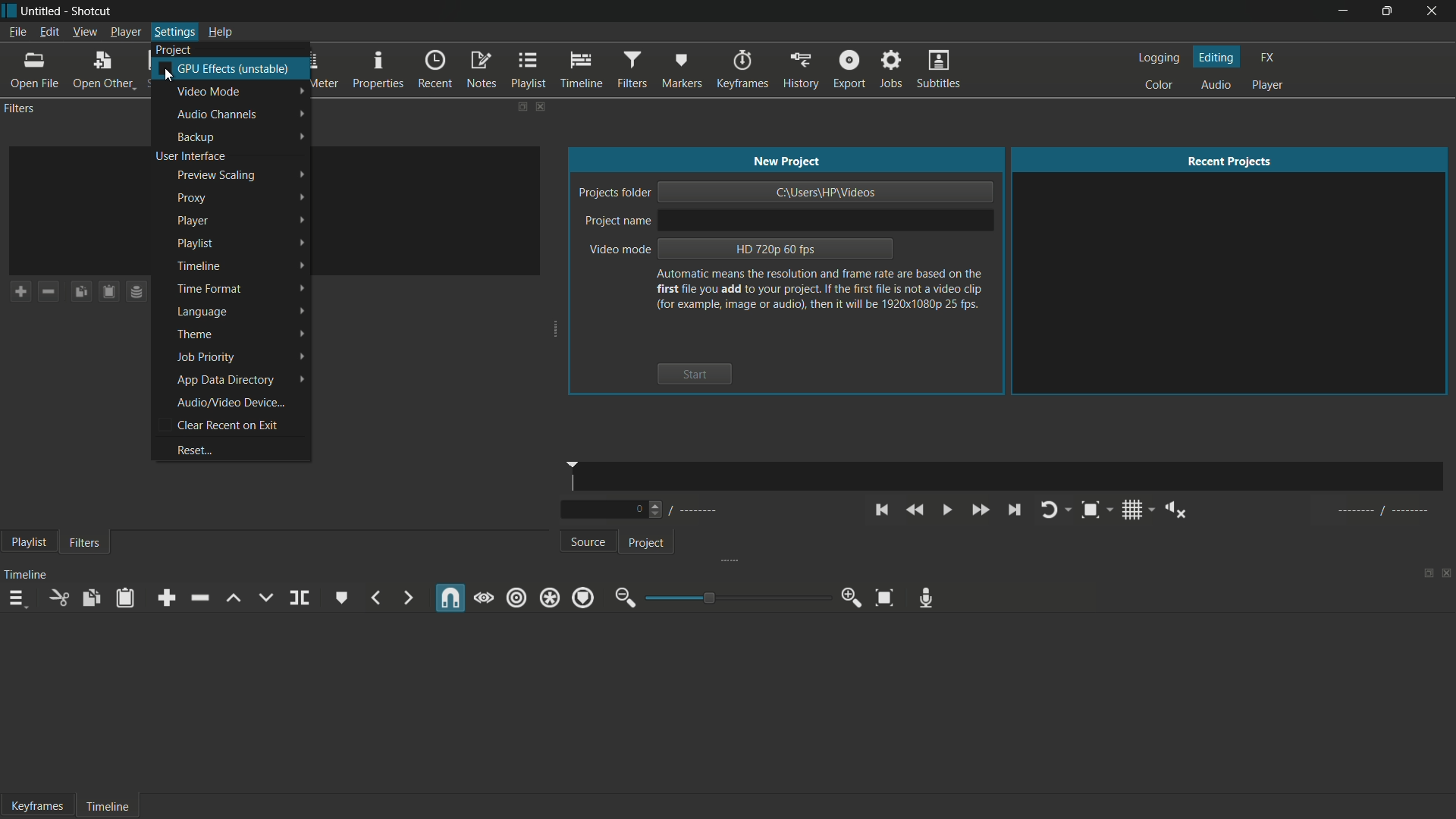 The image size is (1456, 819). I want to click on next marker, so click(406, 598).